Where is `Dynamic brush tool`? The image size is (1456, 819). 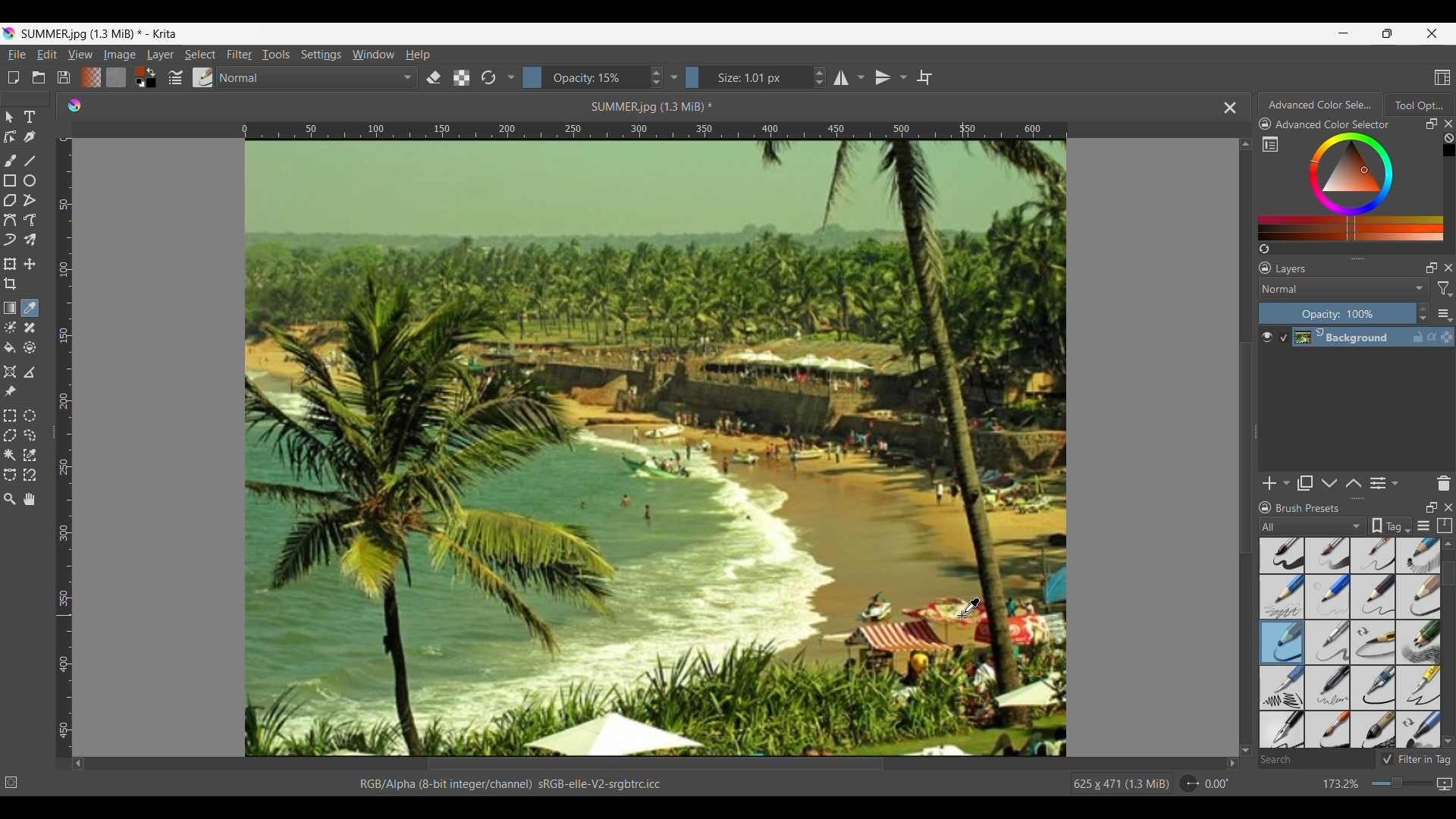
Dynamic brush tool is located at coordinates (10, 240).